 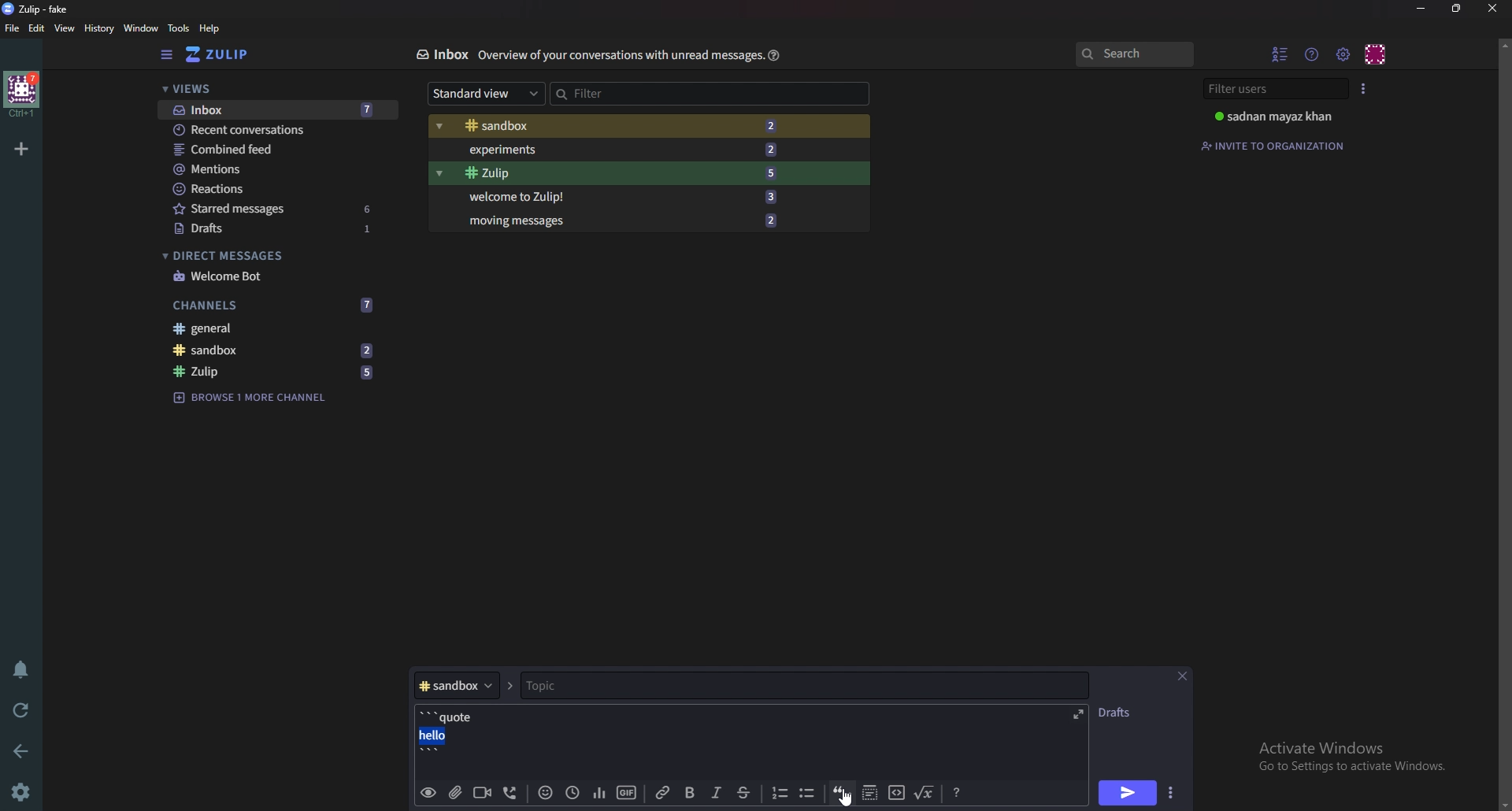 I want to click on 6, so click(x=371, y=207).